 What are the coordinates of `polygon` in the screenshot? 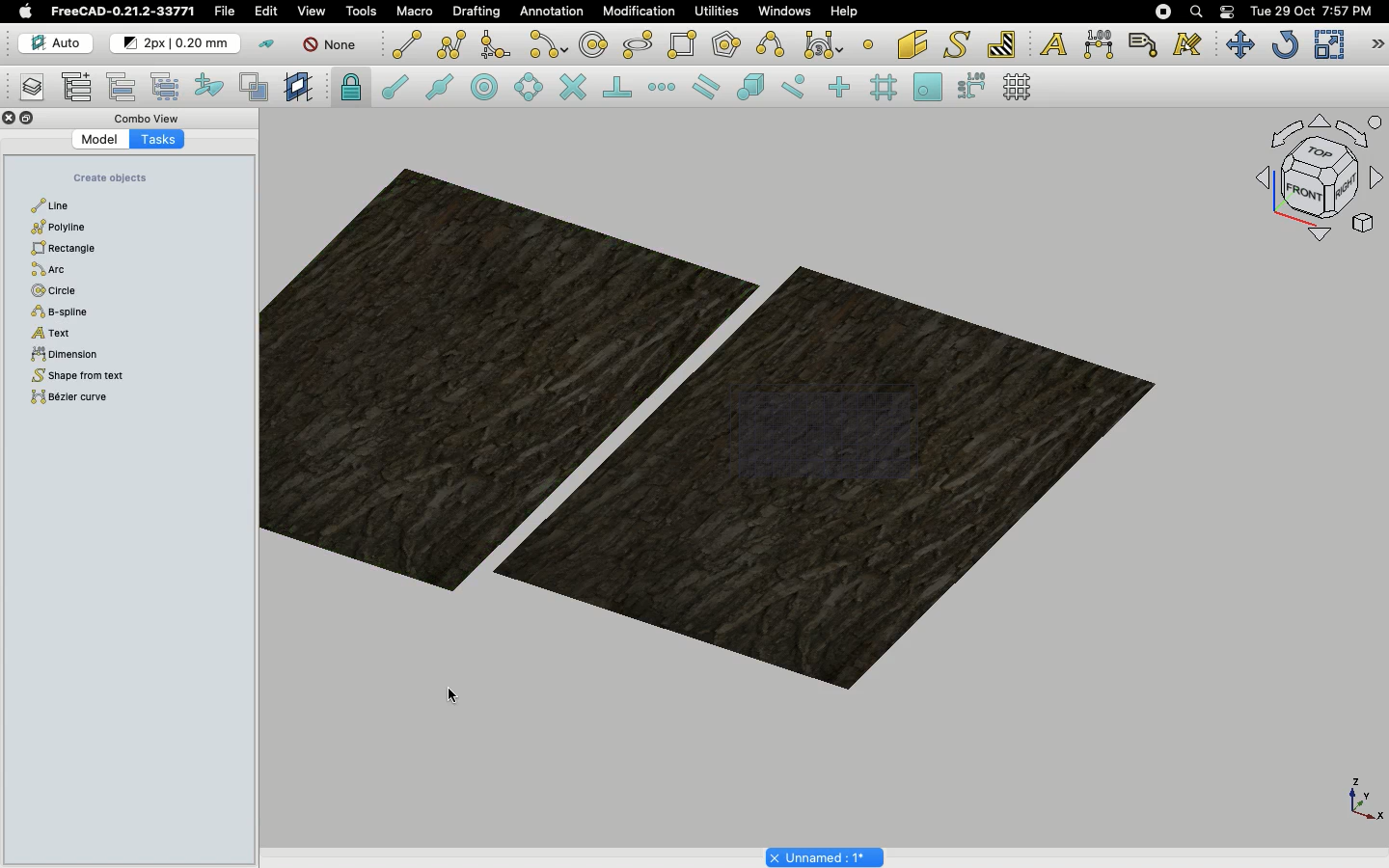 It's located at (639, 45).